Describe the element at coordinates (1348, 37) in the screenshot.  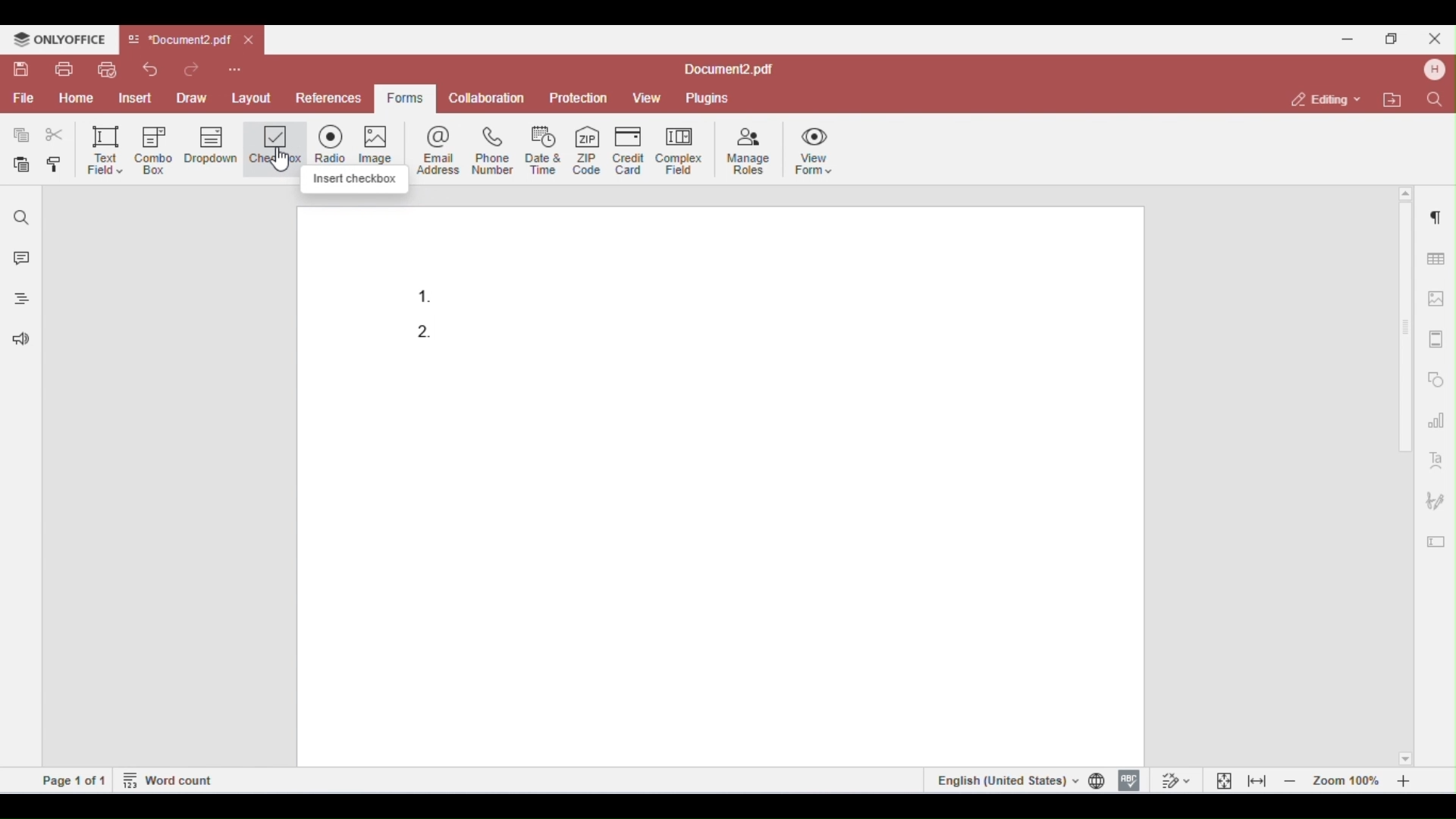
I see `minimize` at that location.